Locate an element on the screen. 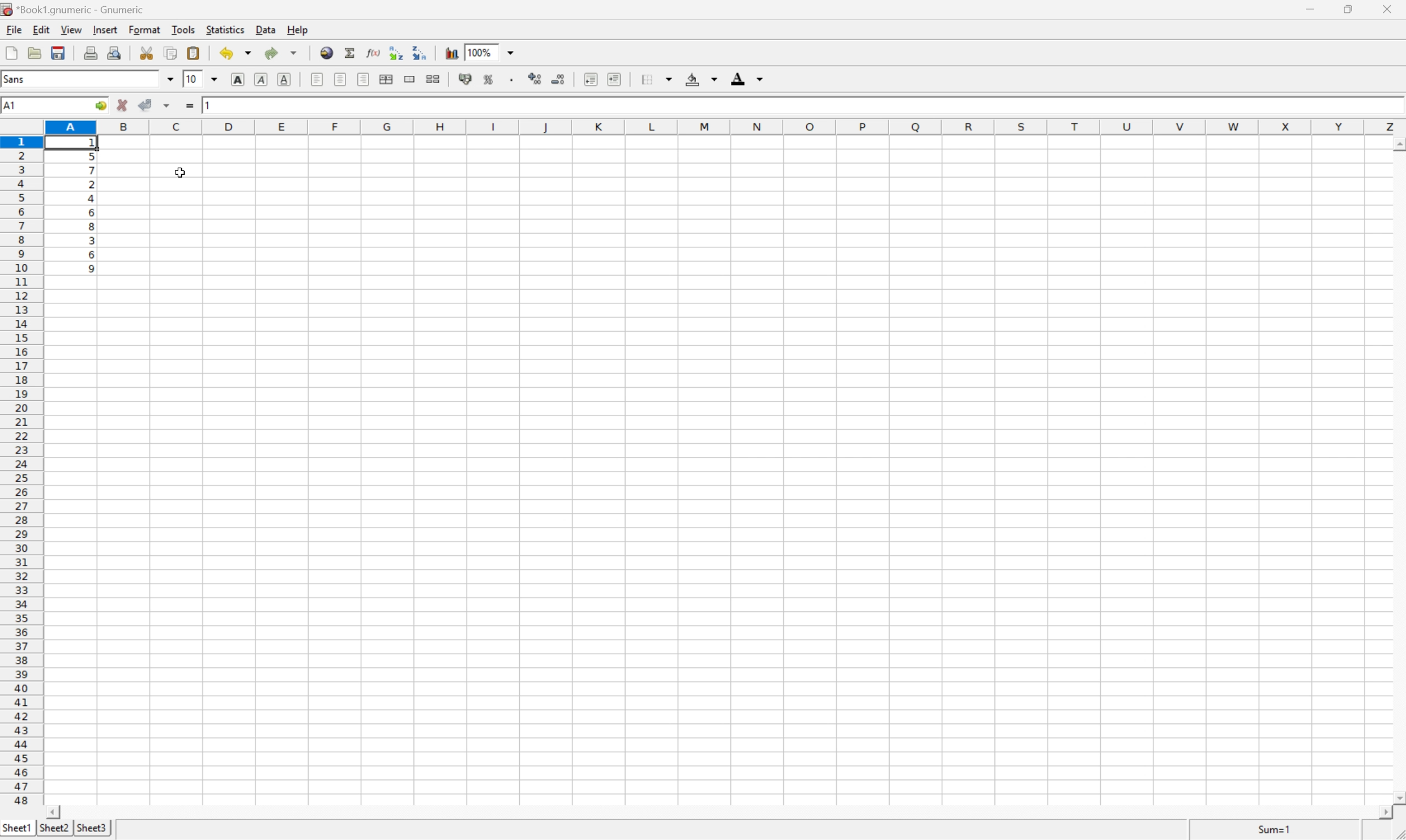 The image size is (1406, 840). cut is located at coordinates (148, 53).